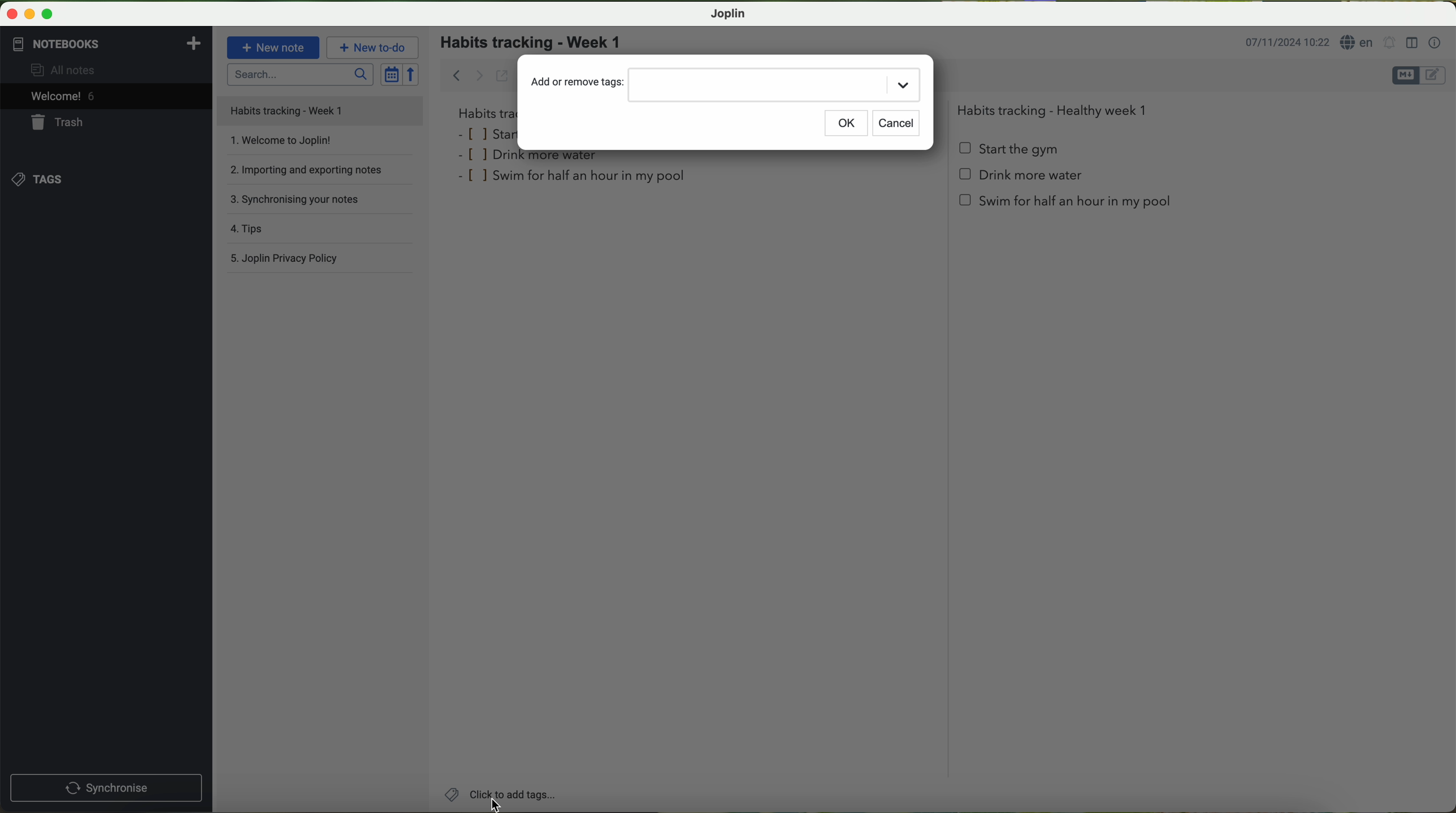  What do you see at coordinates (319, 145) in the screenshot?
I see `welcome to Joplin` at bounding box center [319, 145].